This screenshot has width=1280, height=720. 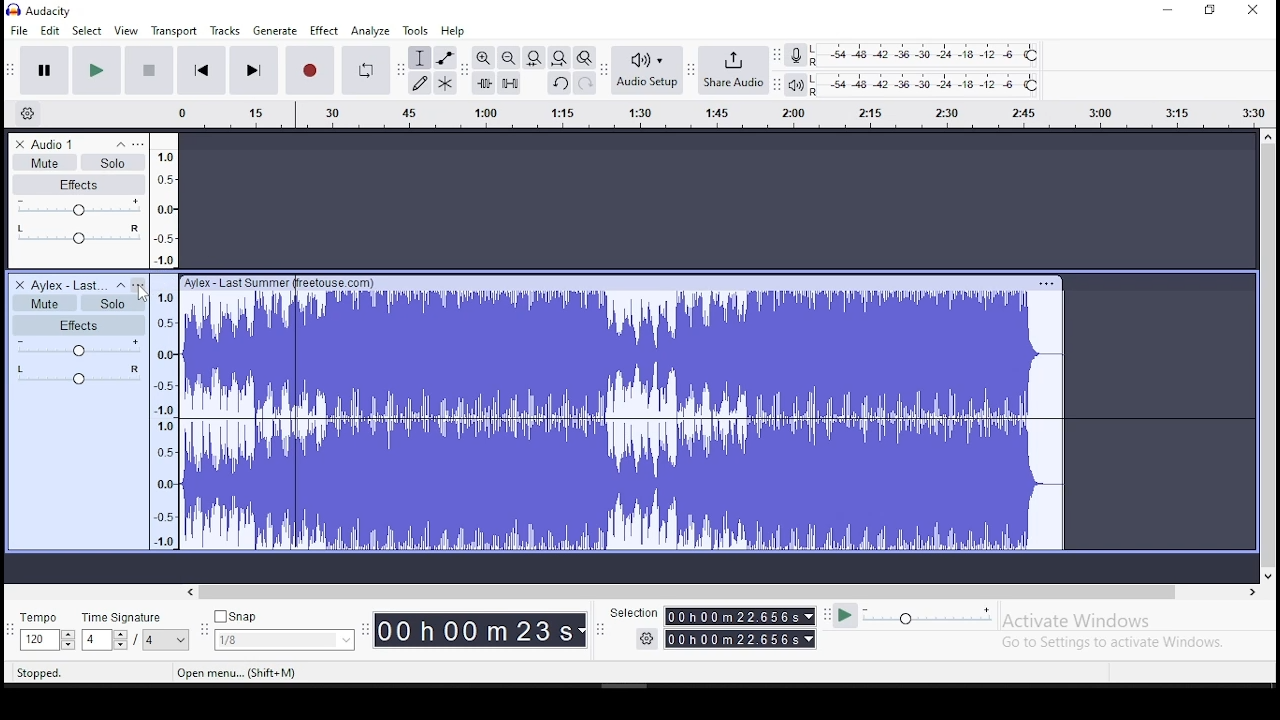 What do you see at coordinates (21, 285) in the screenshot?
I see `delete track` at bounding box center [21, 285].